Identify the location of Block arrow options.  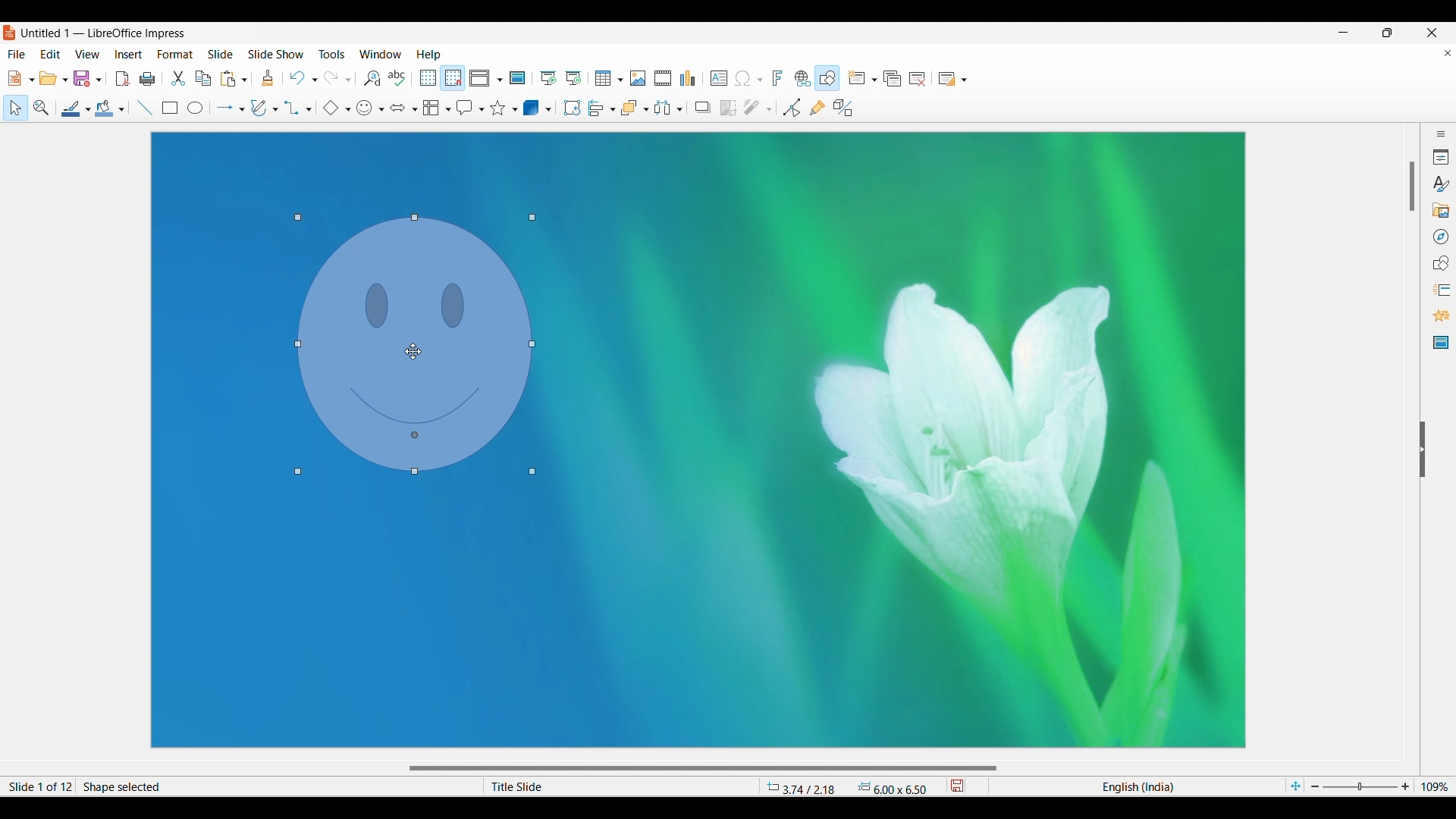
(416, 109).